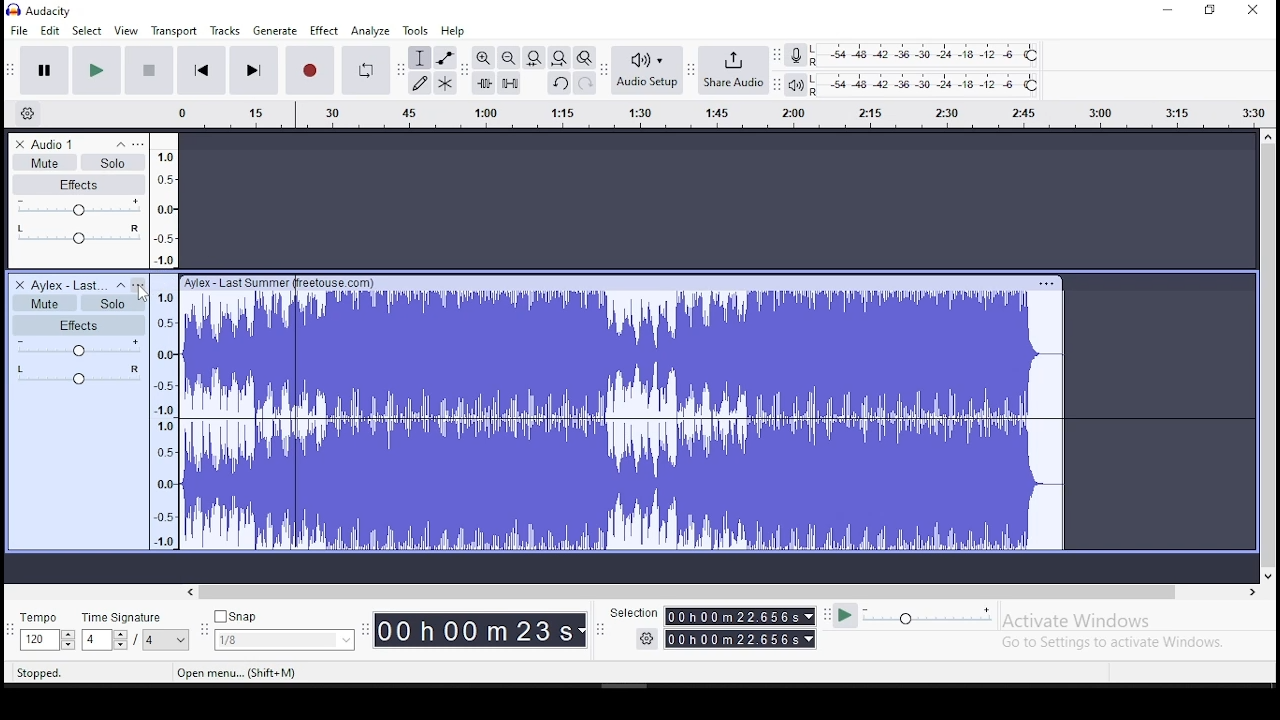 The image size is (1280, 720). Describe the element at coordinates (53, 144) in the screenshot. I see `audio 1` at that location.